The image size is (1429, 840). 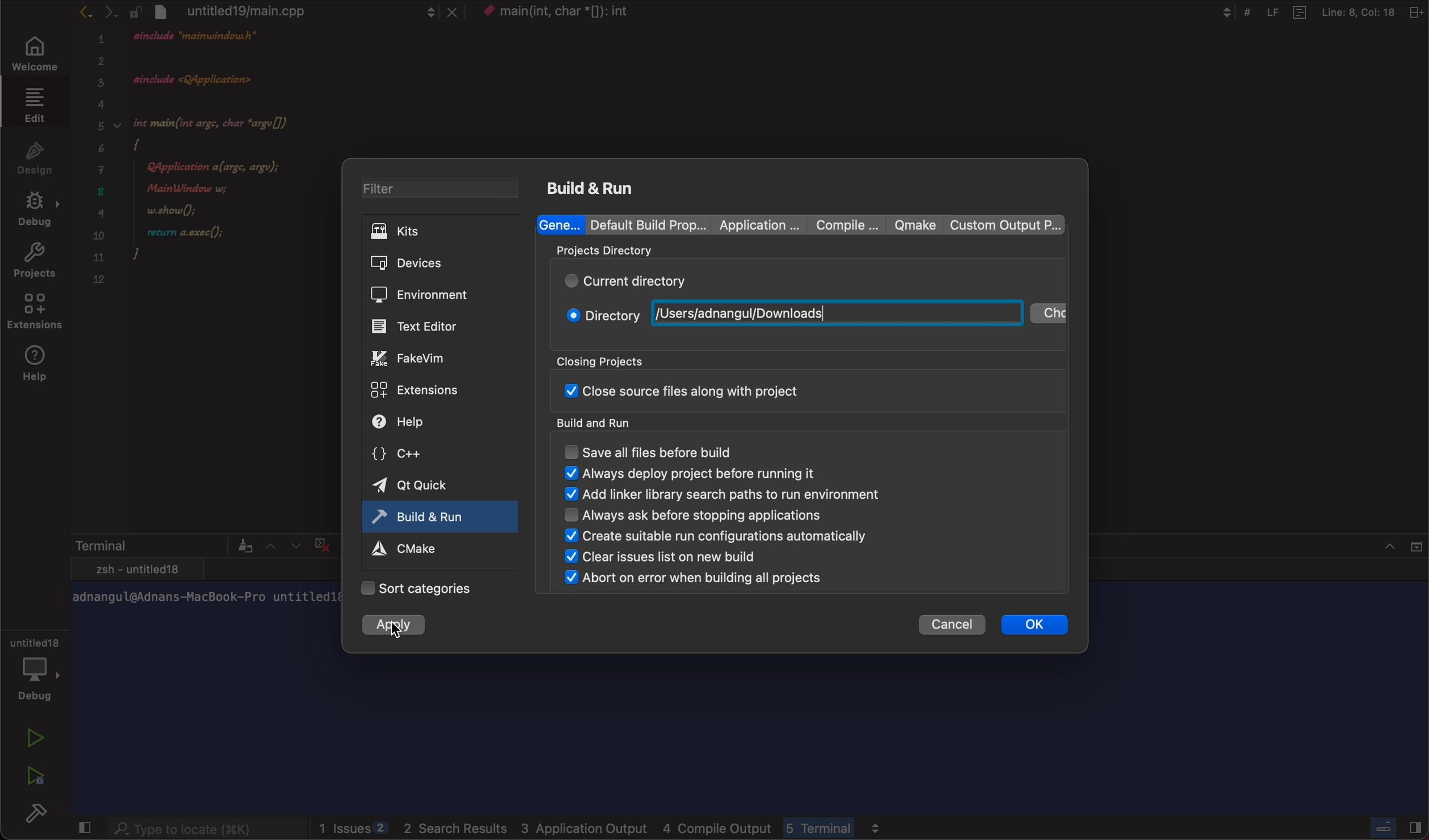 What do you see at coordinates (80, 827) in the screenshot?
I see `close slidebar` at bounding box center [80, 827].